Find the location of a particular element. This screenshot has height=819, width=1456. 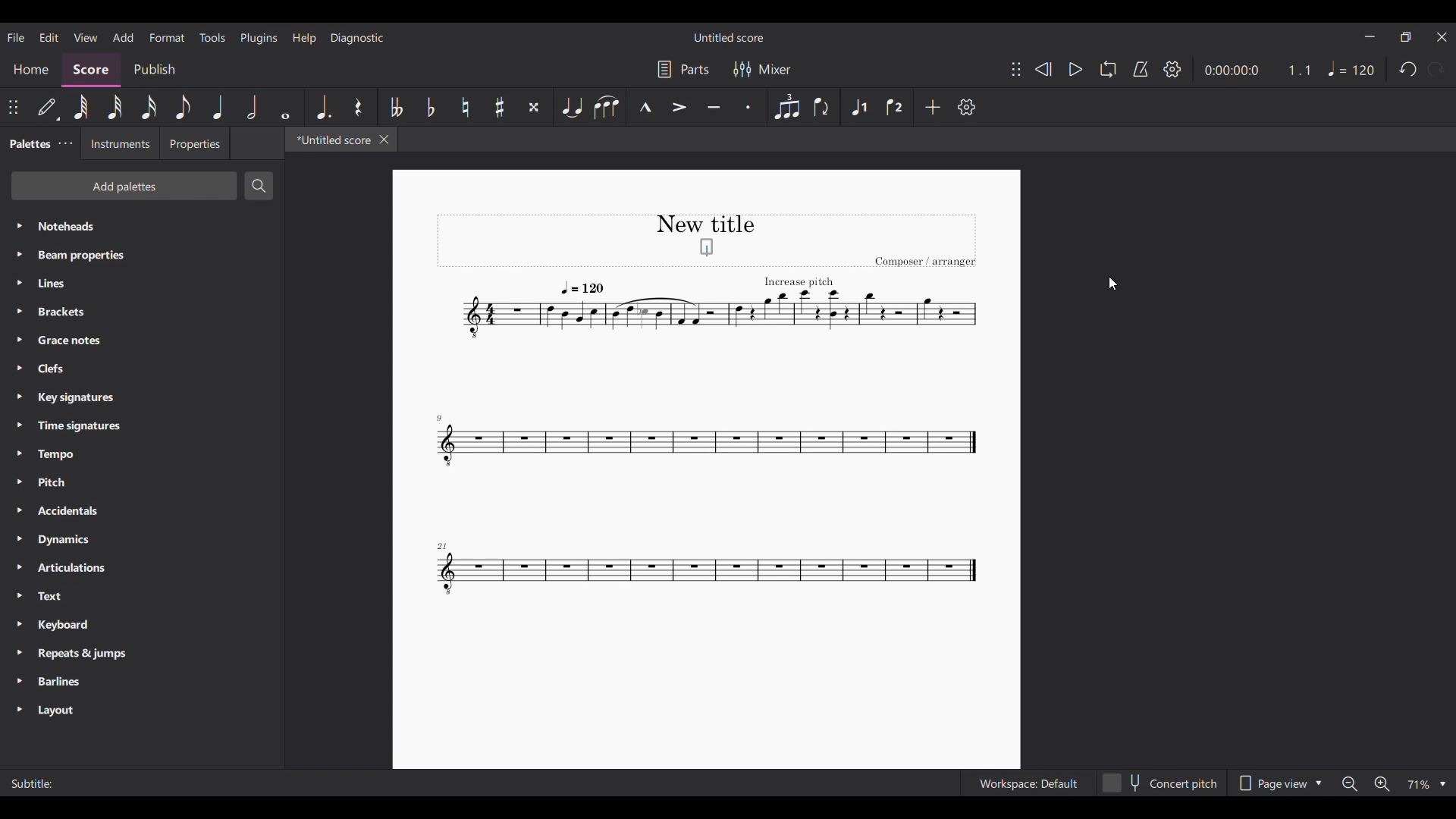

Lines is located at coordinates (142, 283).